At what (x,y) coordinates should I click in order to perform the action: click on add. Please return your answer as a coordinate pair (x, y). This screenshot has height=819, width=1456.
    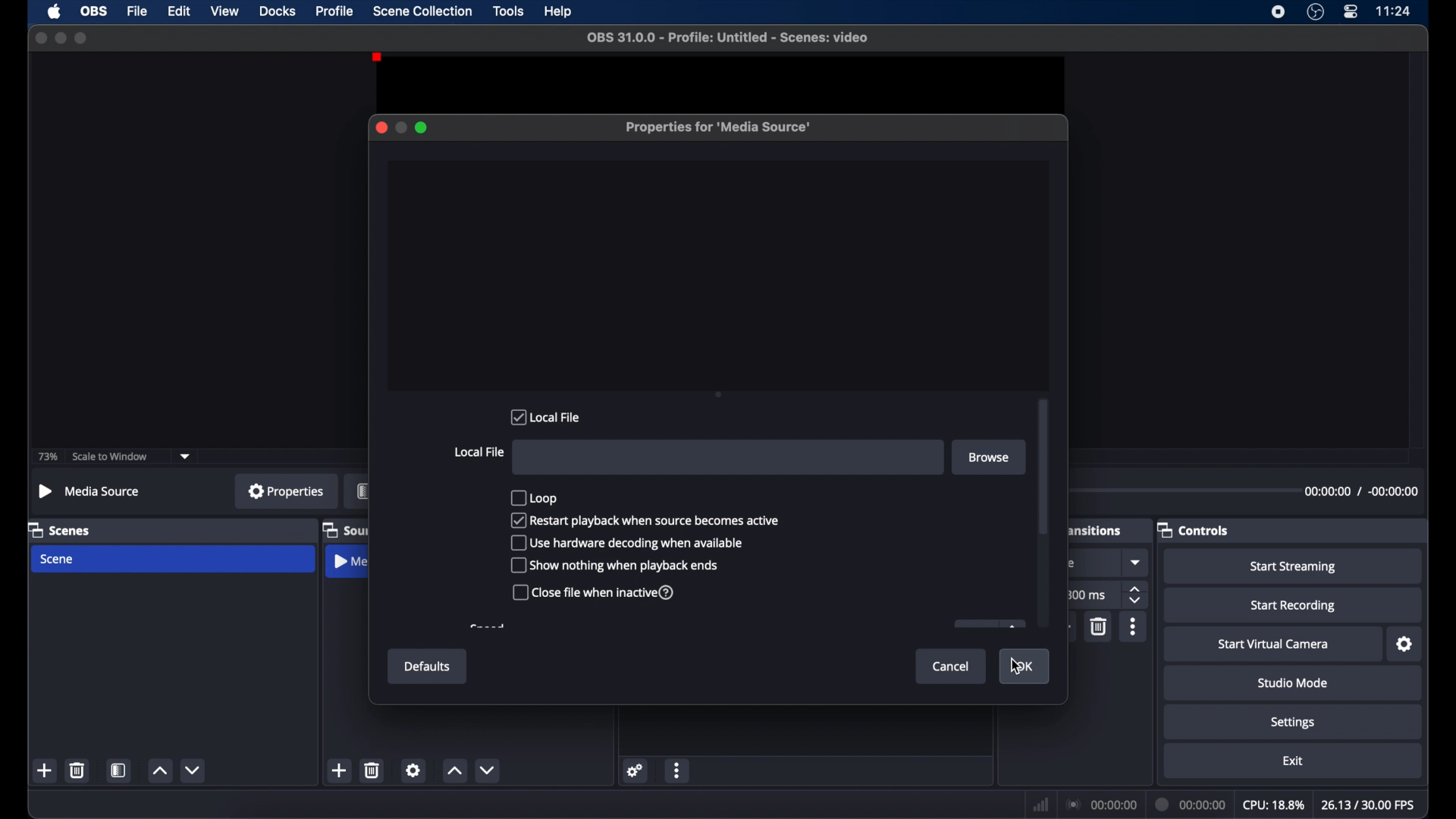
    Looking at the image, I should click on (337, 770).